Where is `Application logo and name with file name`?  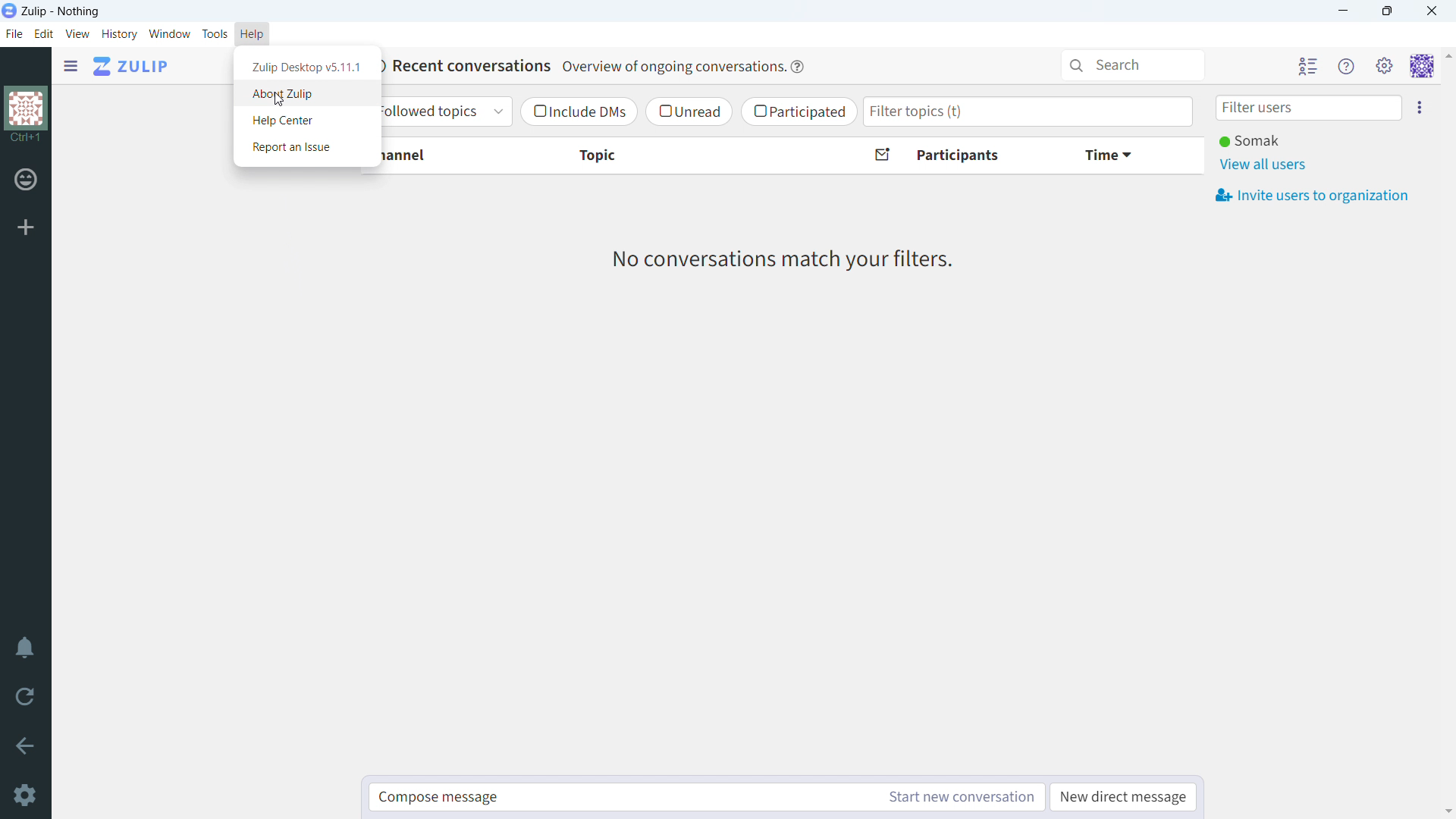 Application logo and name with file name is located at coordinates (56, 11).